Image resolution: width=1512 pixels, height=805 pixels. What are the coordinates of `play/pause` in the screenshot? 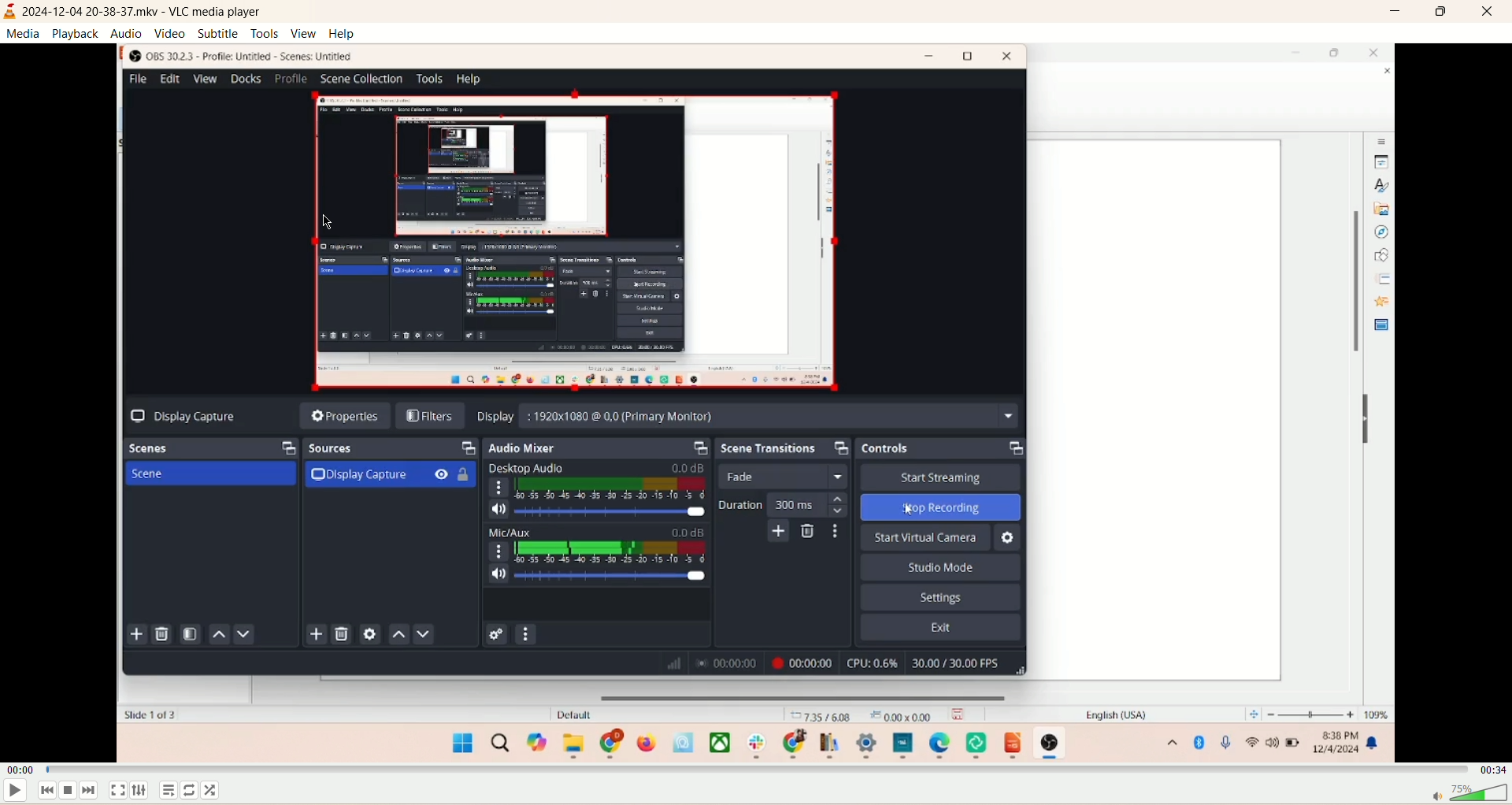 It's located at (16, 793).